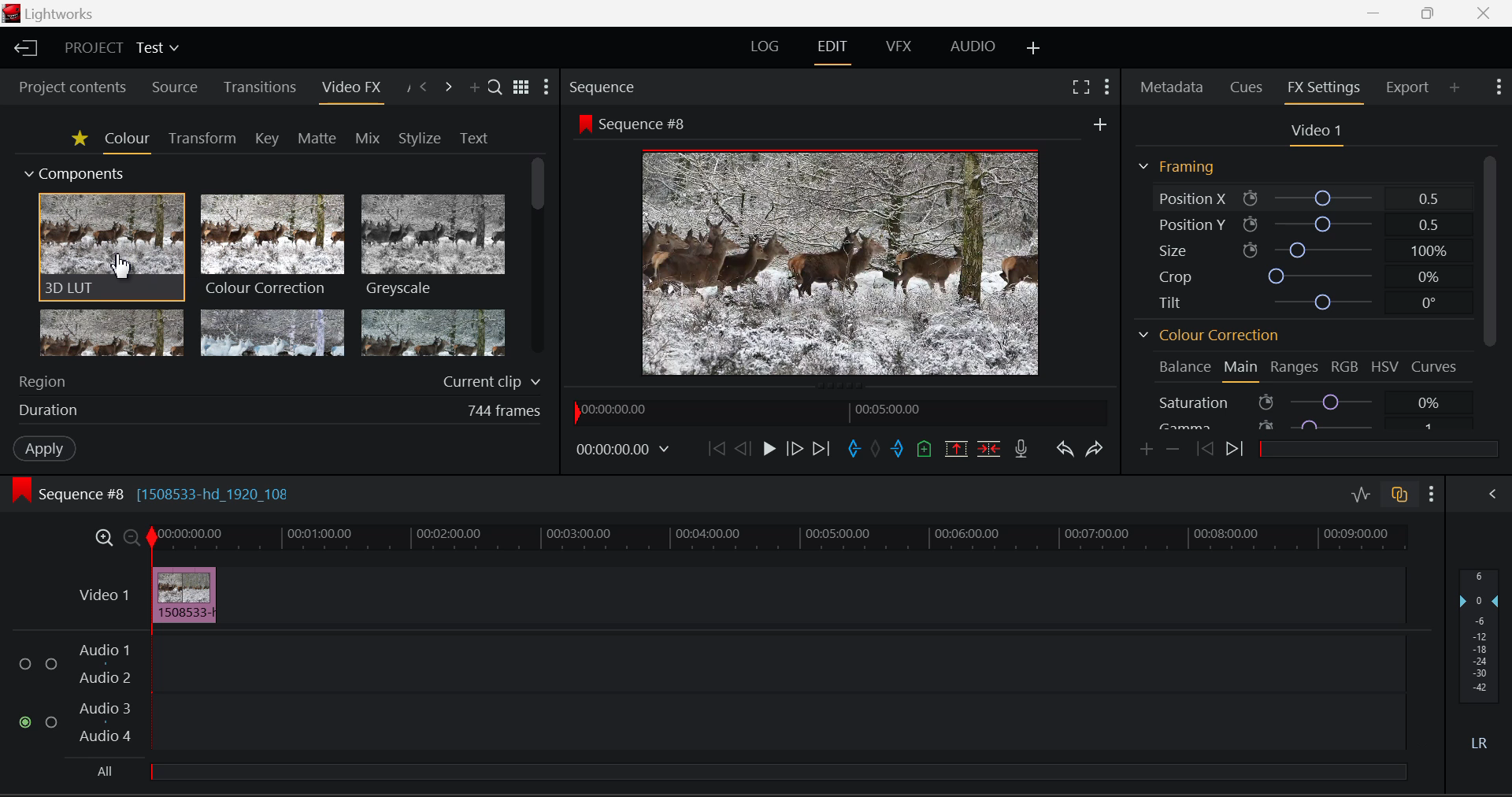  Describe the element at coordinates (1310, 250) in the screenshot. I see `Size` at that location.